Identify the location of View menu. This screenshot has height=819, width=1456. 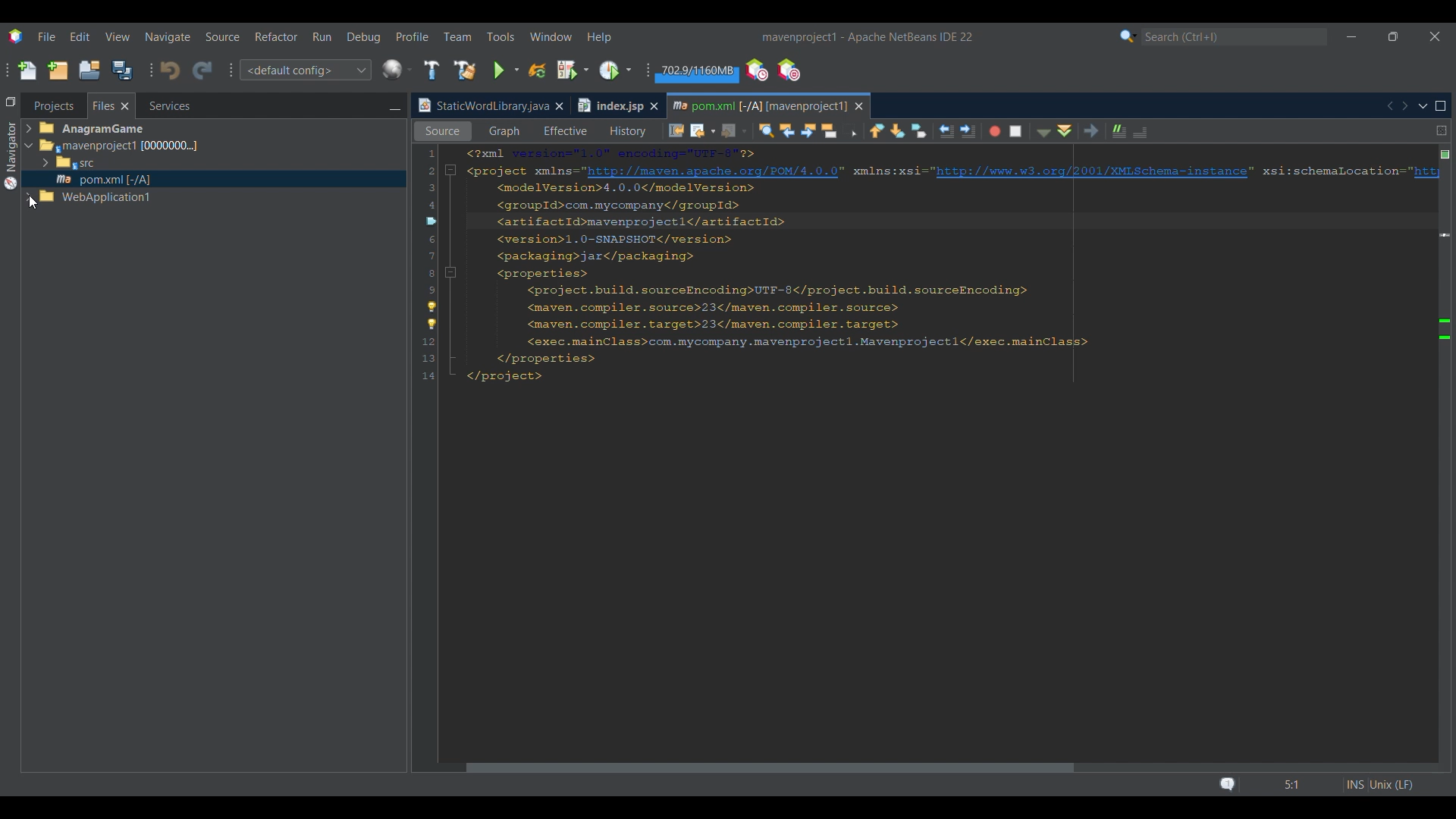
(118, 37).